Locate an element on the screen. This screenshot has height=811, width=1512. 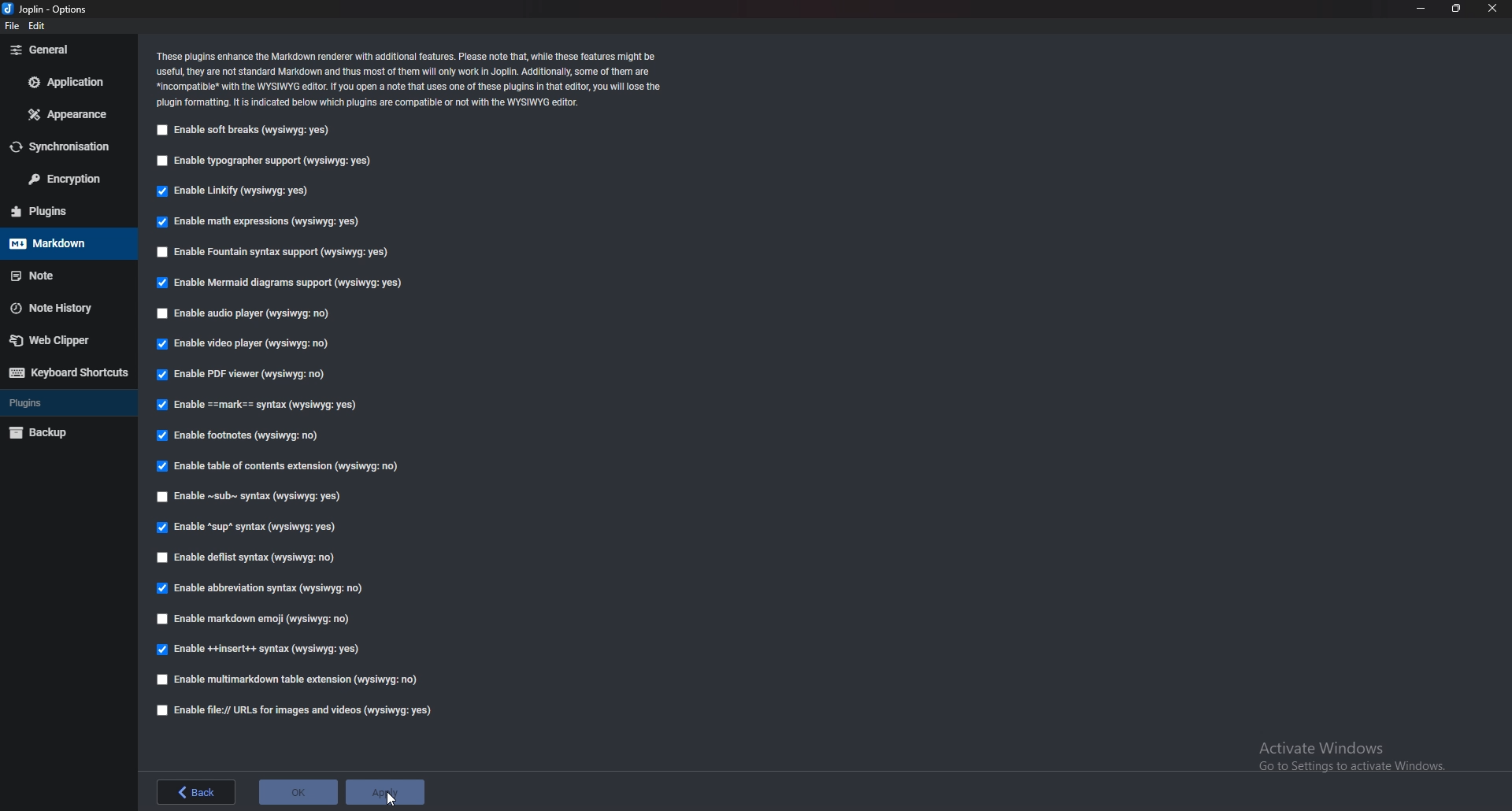
ok is located at coordinates (297, 791).